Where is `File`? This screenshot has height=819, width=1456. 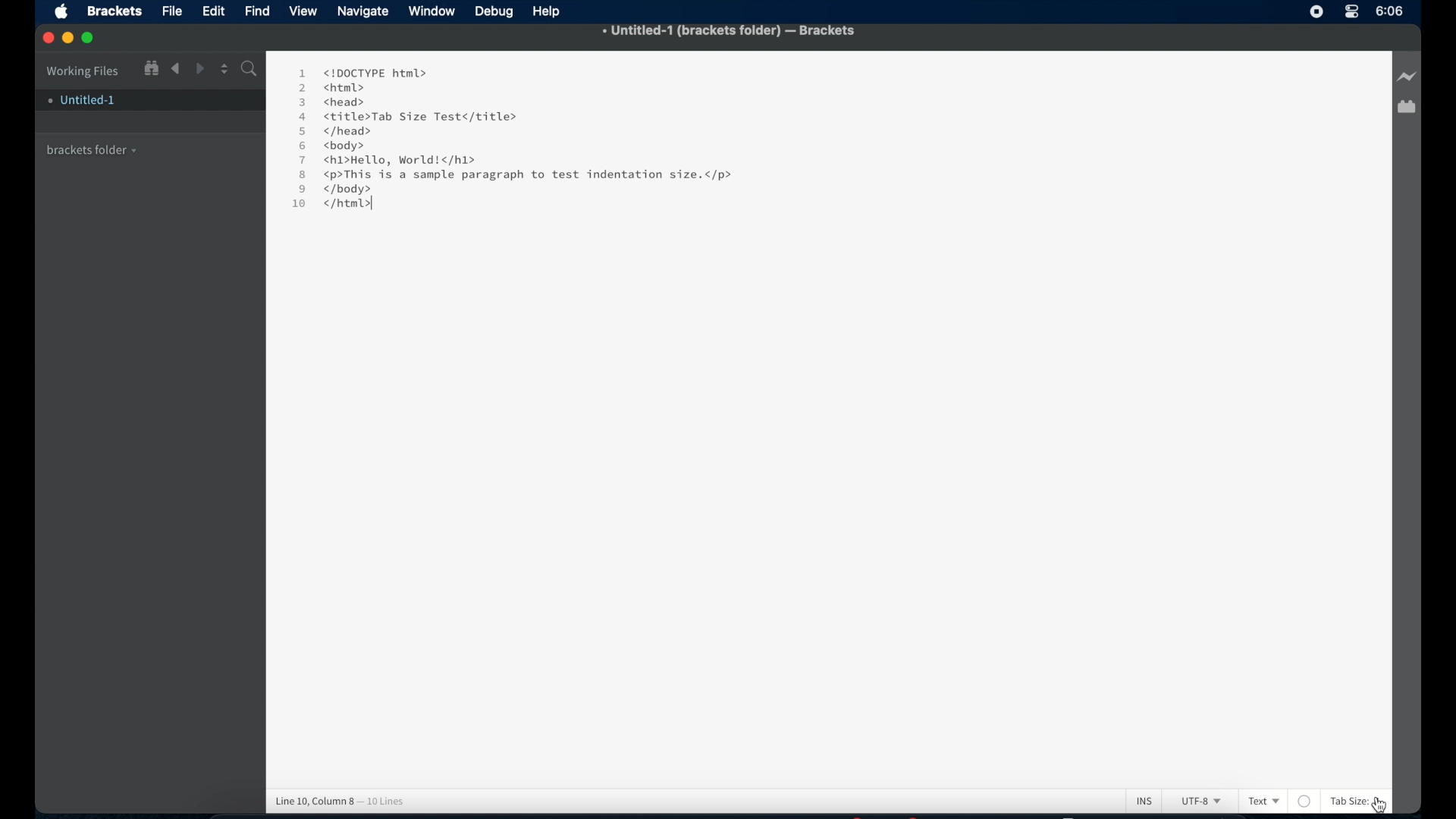
File is located at coordinates (172, 12).